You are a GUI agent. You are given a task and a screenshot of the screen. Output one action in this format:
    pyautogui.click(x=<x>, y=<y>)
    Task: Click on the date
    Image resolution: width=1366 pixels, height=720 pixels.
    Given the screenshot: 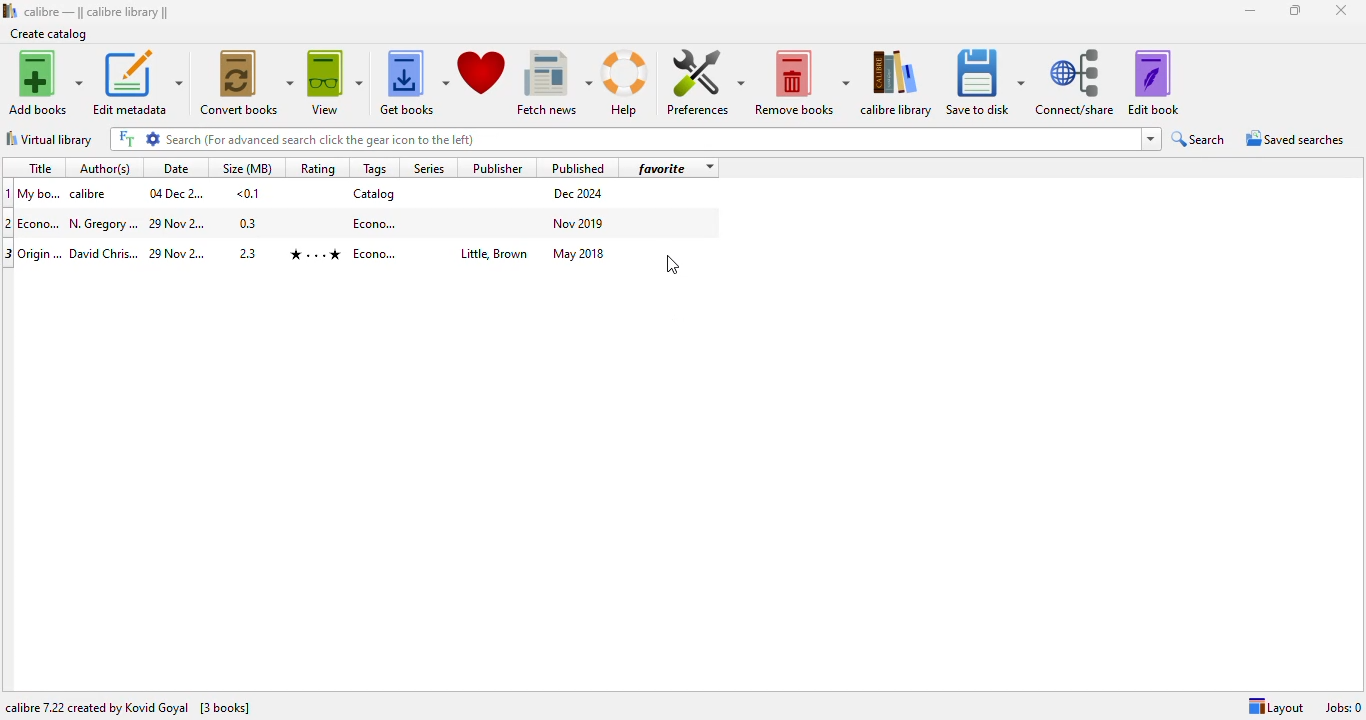 What is the action you would take?
    pyautogui.click(x=178, y=225)
    